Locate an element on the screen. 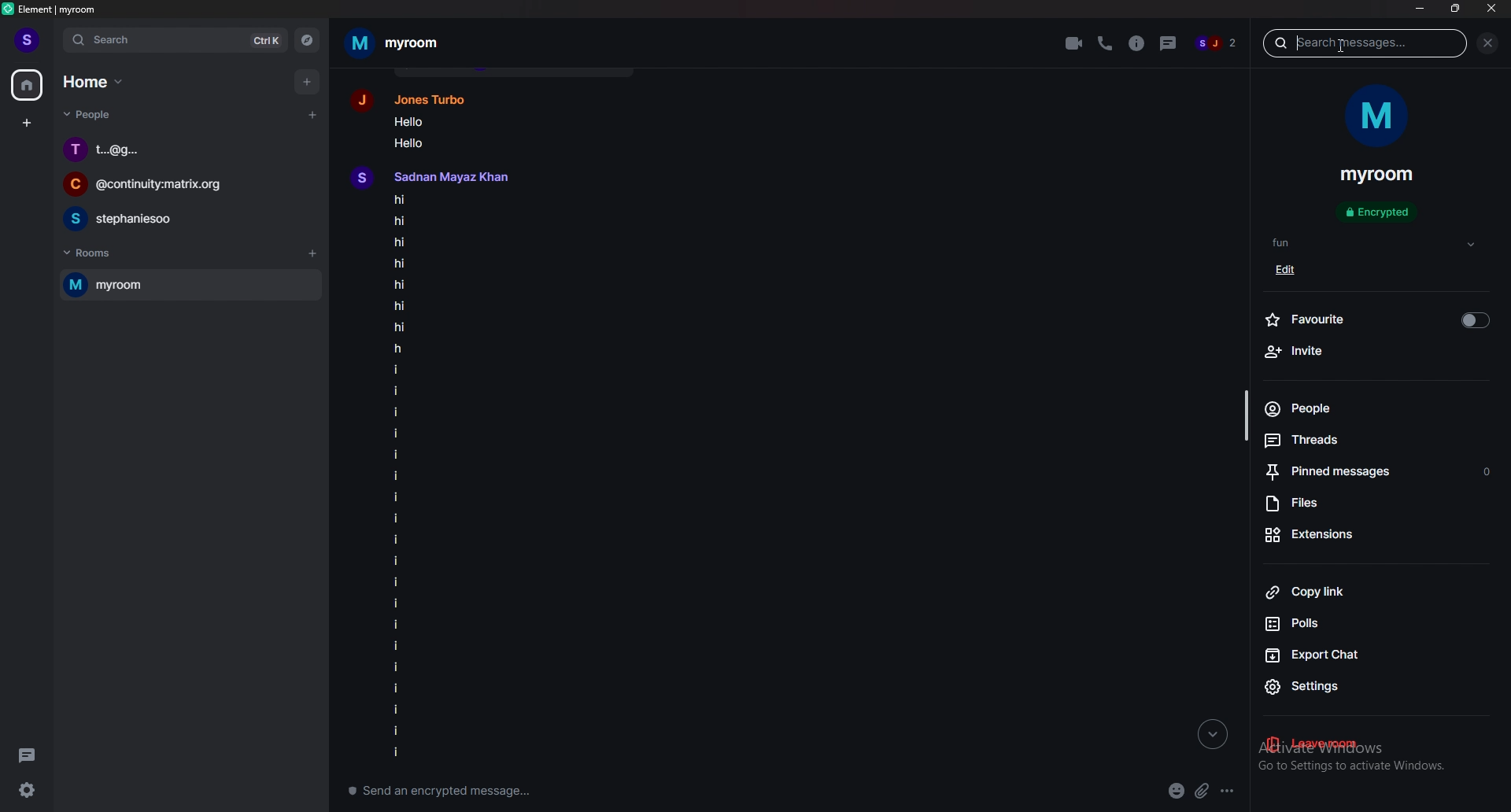 This screenshot has height=812, width=1511. resize is located at coordinates (1457, 8).